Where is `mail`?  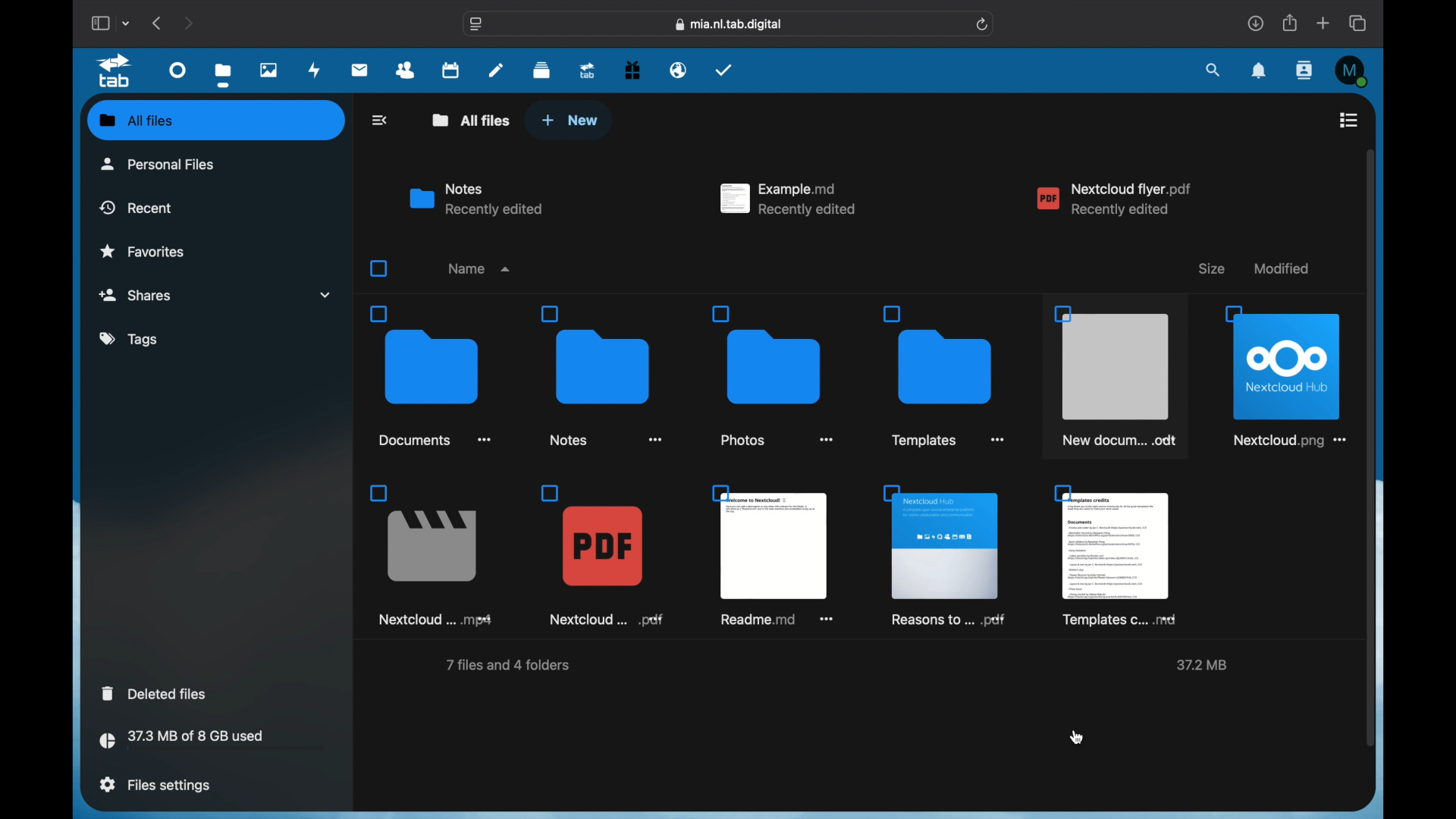 mail is located at coordinates (360, 71).